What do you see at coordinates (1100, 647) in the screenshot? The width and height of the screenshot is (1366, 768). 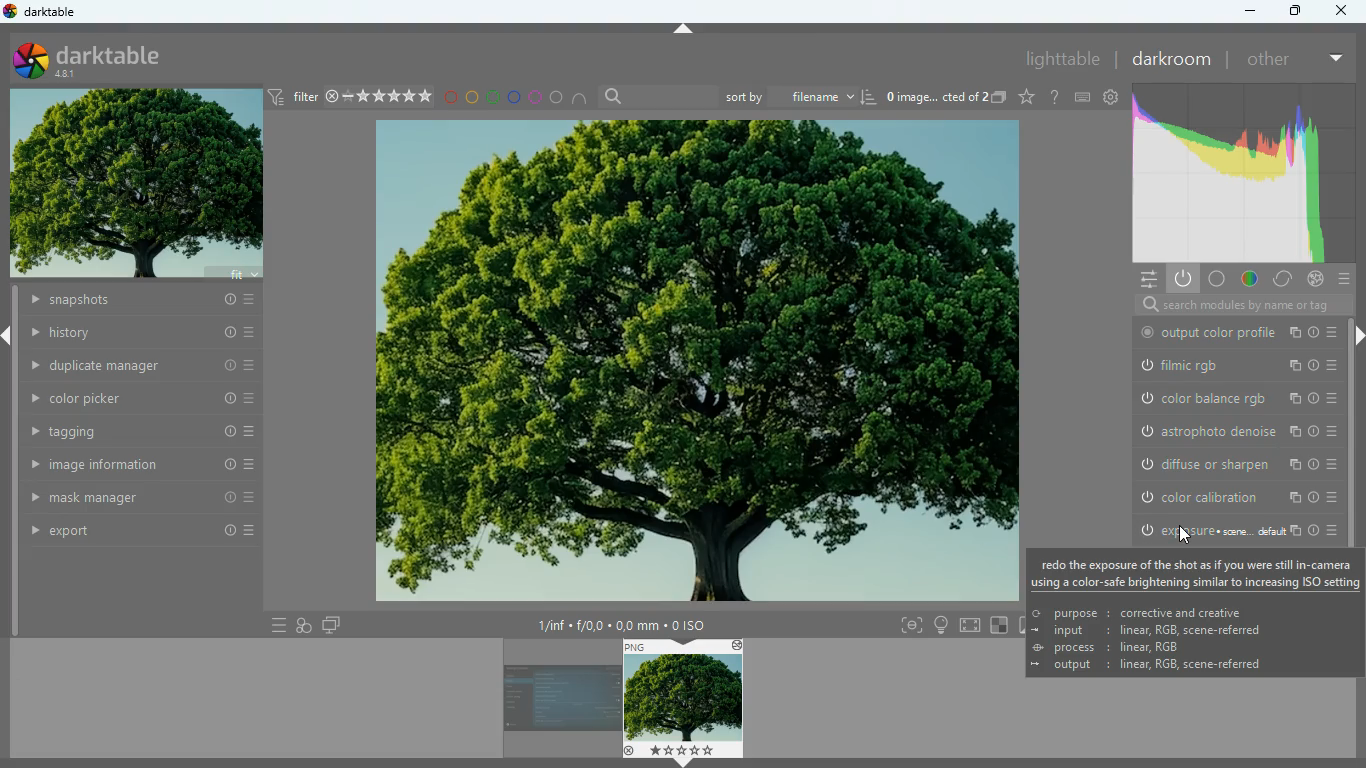 I see `process` at bounding box center [1100, 647].